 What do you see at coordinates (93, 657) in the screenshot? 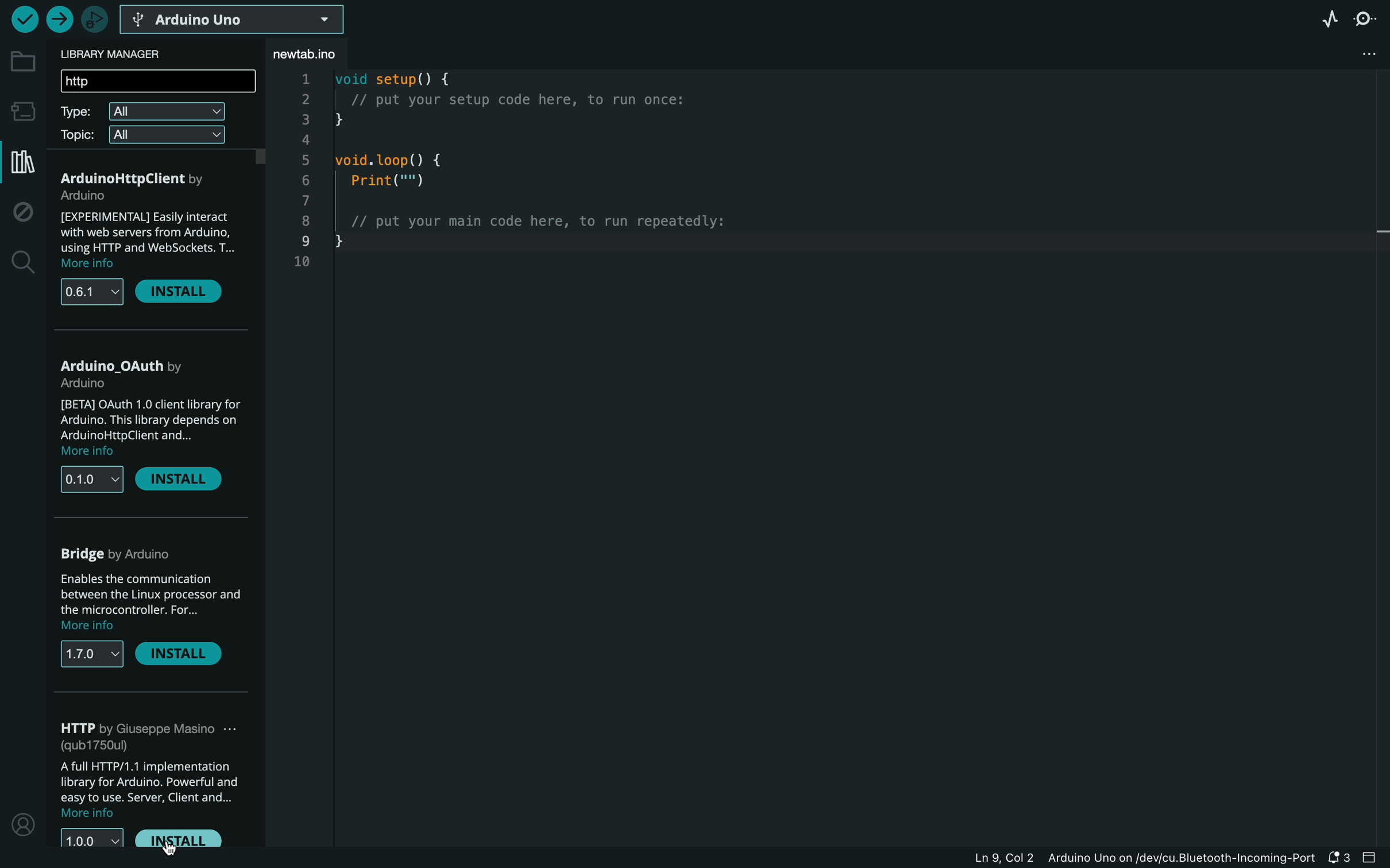
I see `versions` at bounding box center [93, 657].